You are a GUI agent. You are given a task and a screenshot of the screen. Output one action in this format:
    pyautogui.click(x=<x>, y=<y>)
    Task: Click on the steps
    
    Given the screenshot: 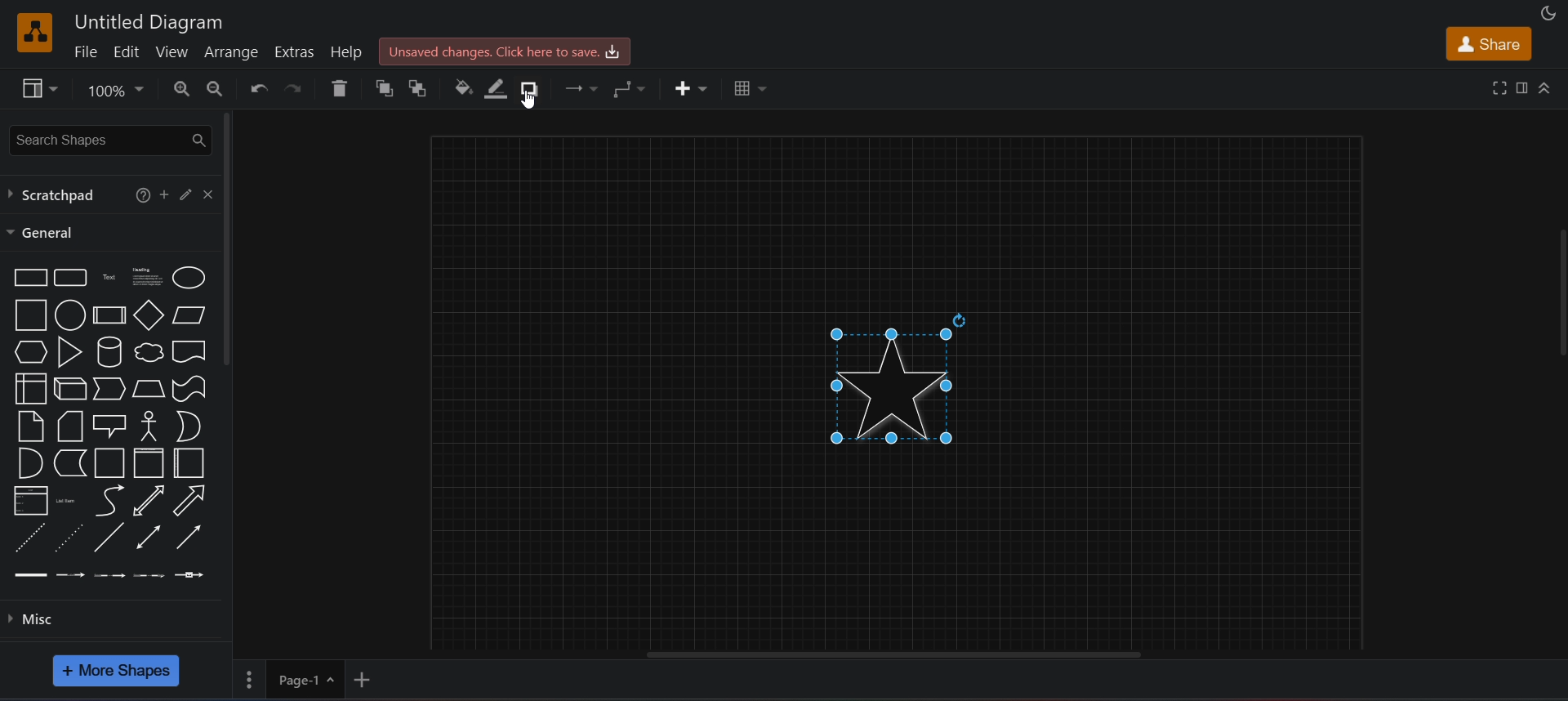 What is the action you would take?
    pyautogui.click(x=109, y=389)
    